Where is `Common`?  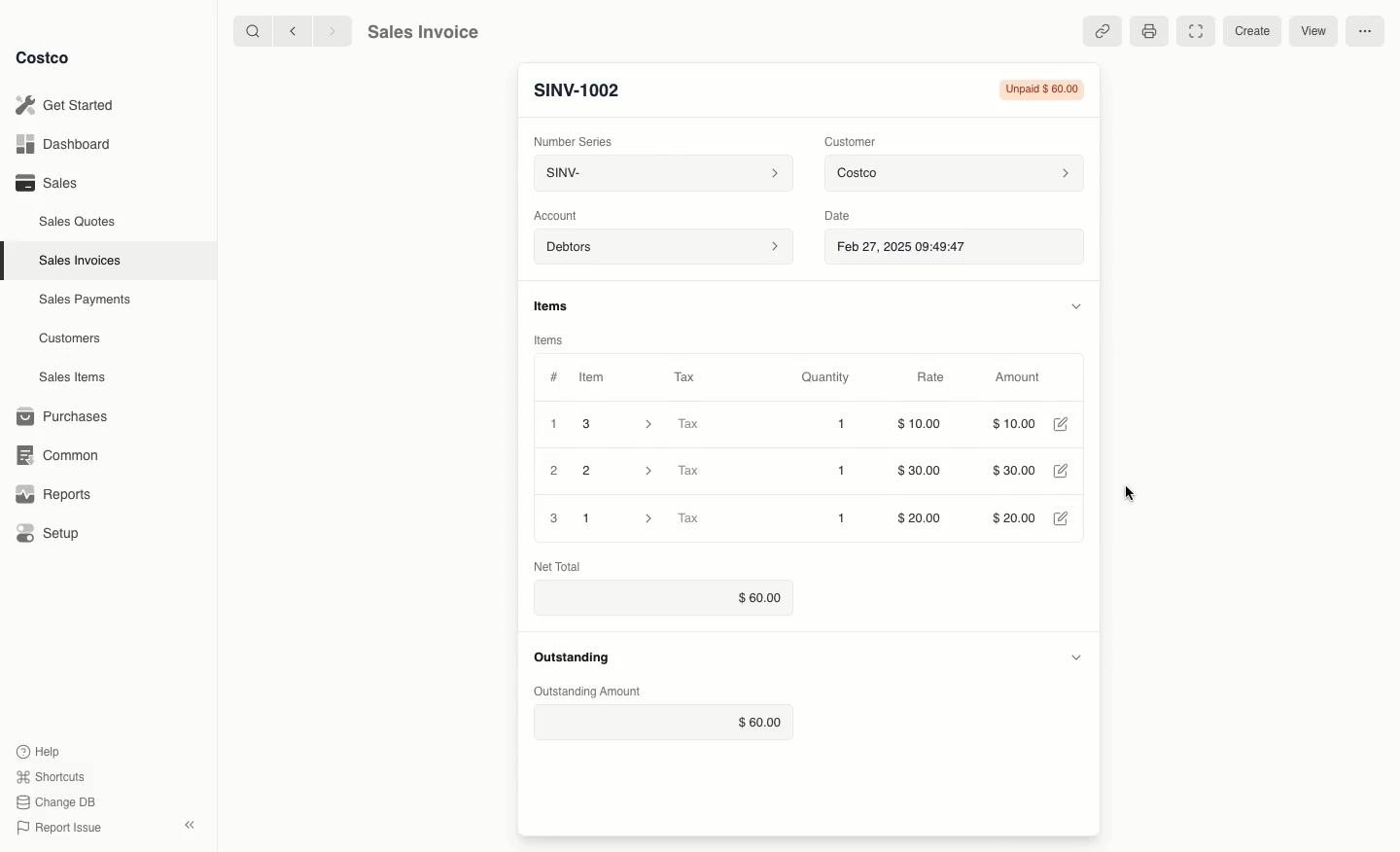 Common is located at coordinates (53, 453).